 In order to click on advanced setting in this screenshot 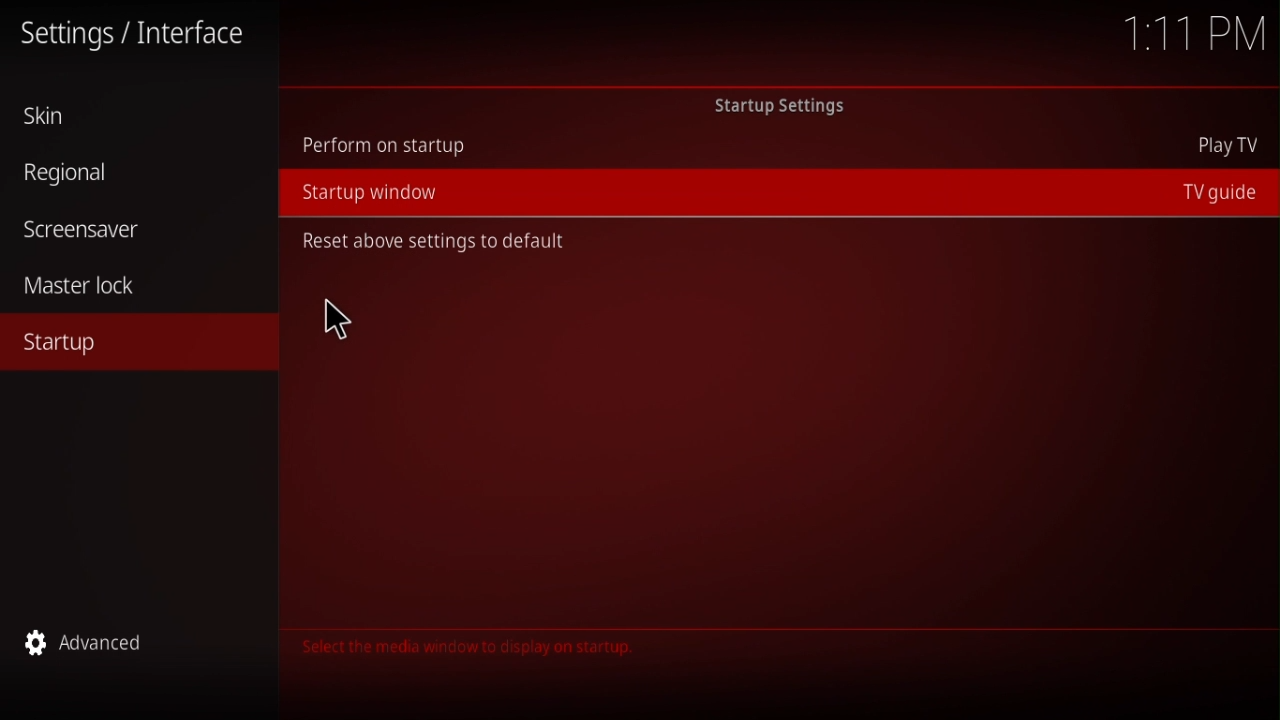, I will do `click(97, 646)`.